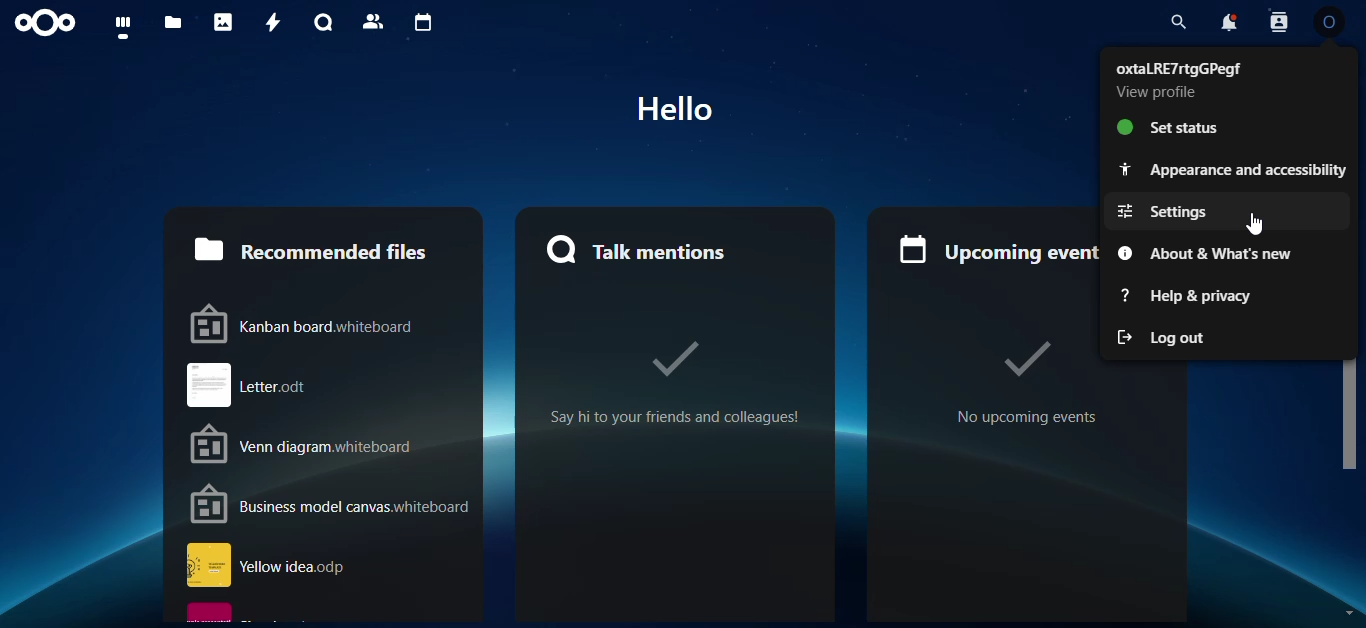  Describe the element at coordinates (333, 443) in the screenshot. I see `Venn diagram.whiteboard` at that location.